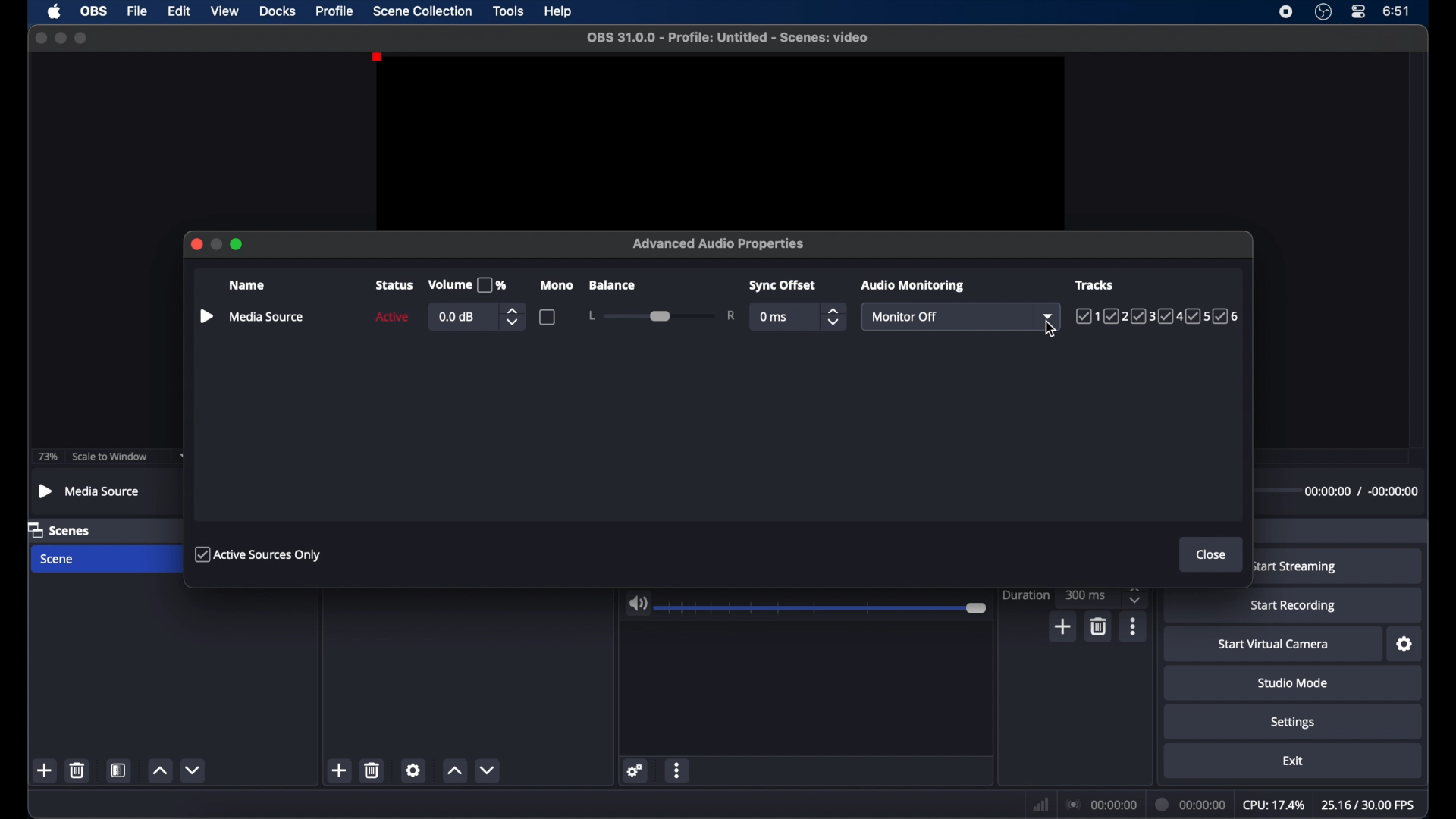  Describe the element at coordinates (1136, 595) in the screenshot. I see `stepper buttons` at that location.